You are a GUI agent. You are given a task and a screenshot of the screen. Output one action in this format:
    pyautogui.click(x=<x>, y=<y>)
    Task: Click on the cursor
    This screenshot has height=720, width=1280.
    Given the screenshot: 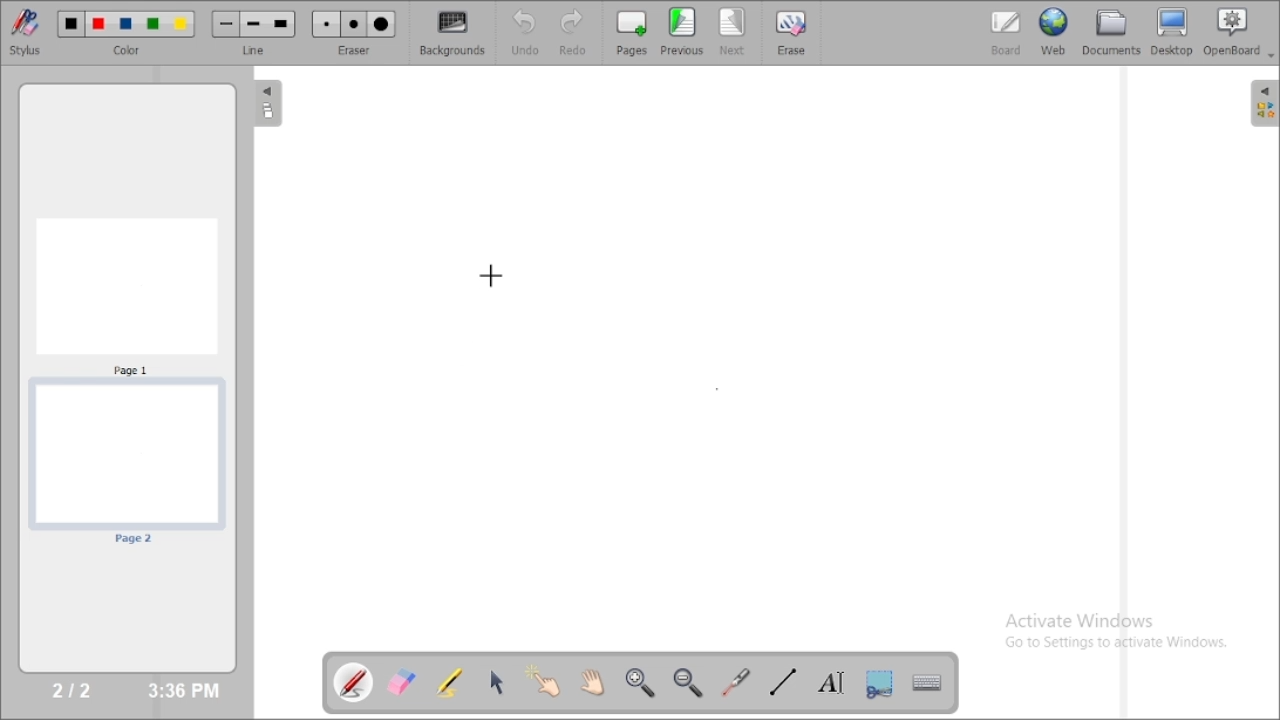 What is the action you would take?
    pyautogui.click(x=490, y=278)
    